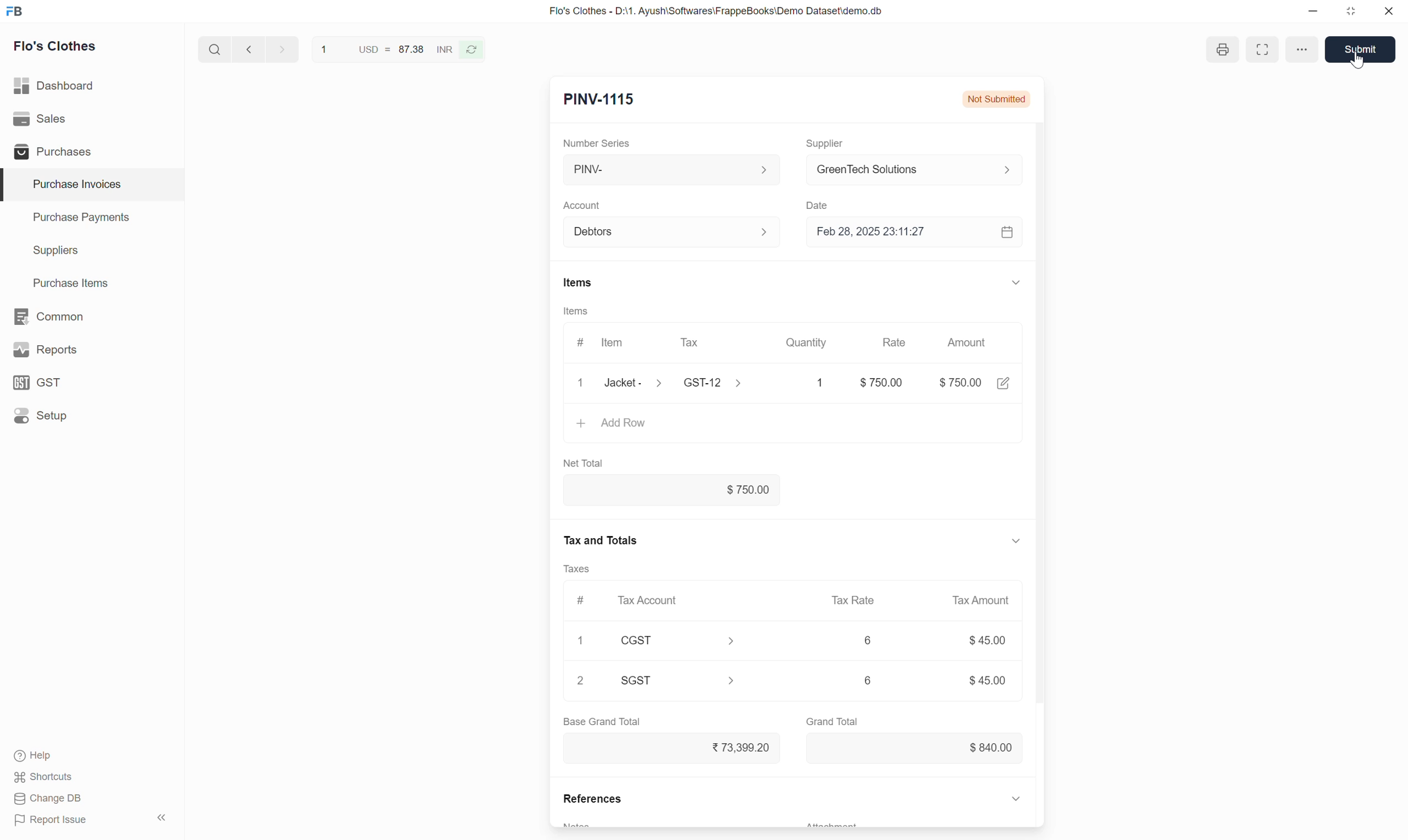  I want to click on Net Total, so click(584, 464).